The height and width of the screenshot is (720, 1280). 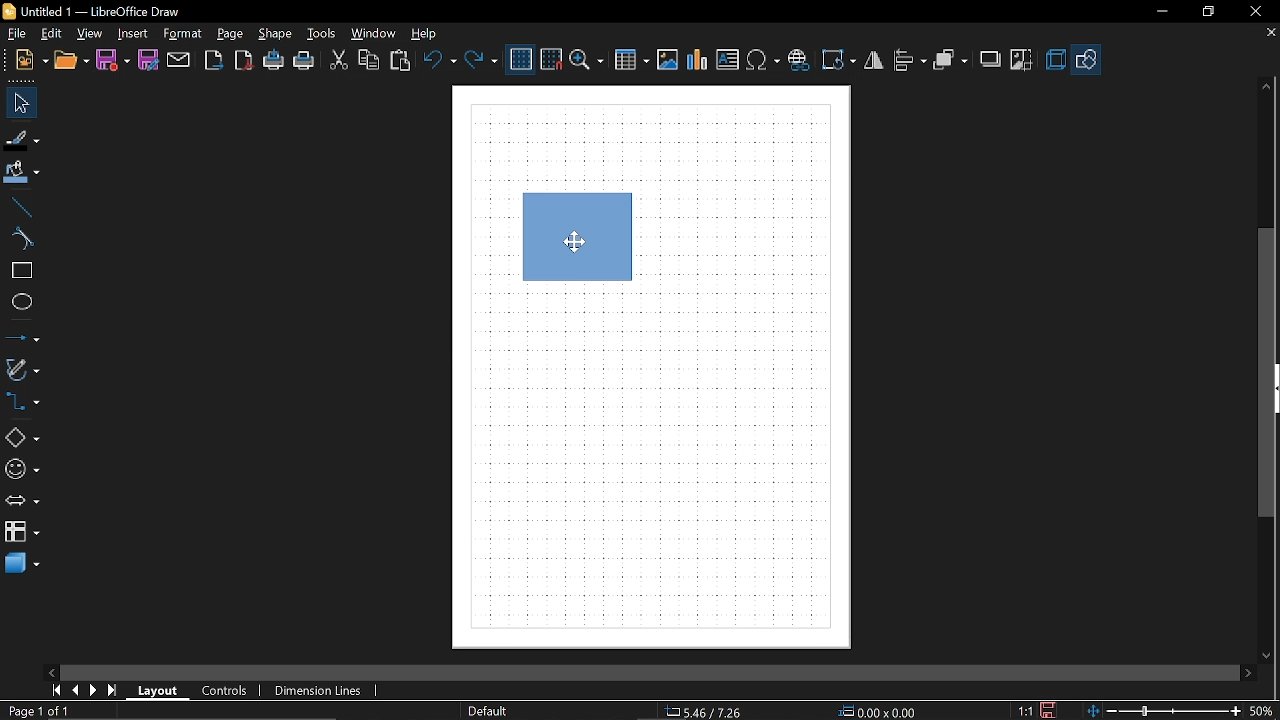 What do you see at coordinates (22, 401) in the screenshot?
I see `Connector` at bounding box center [22, 401].